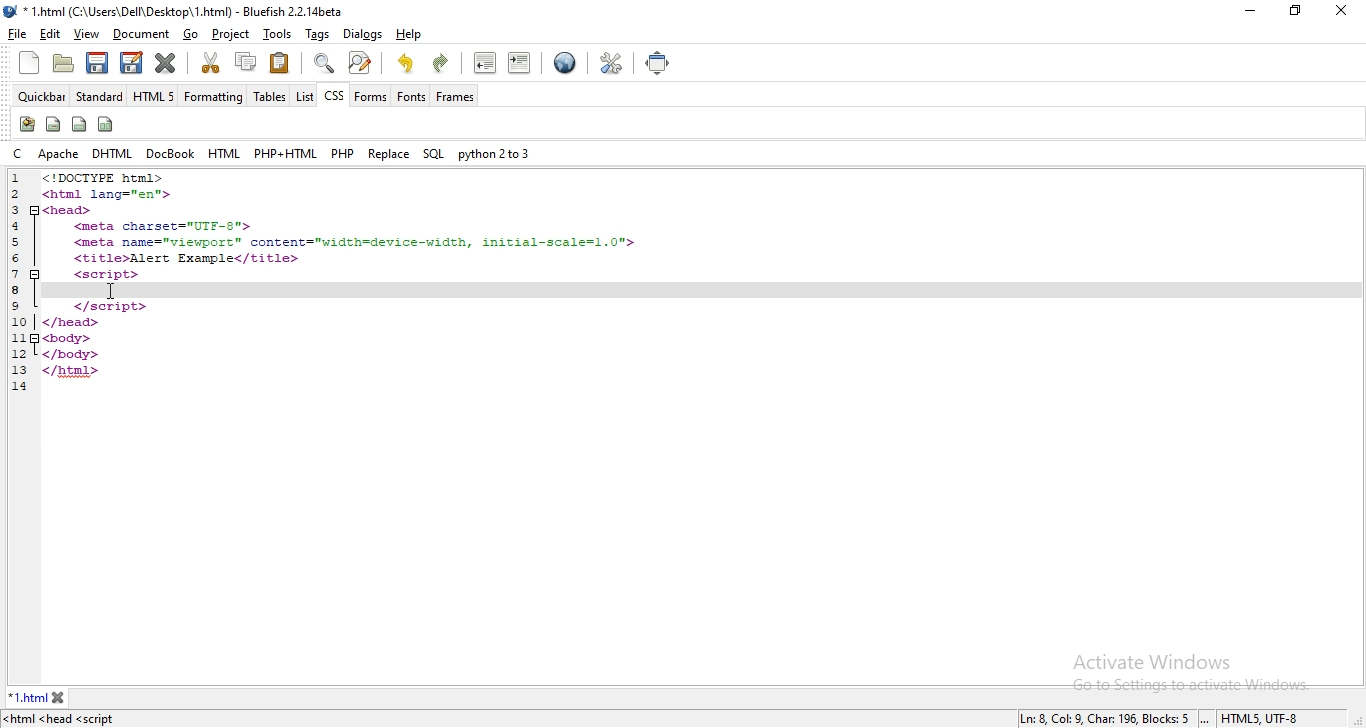 Image resolution: width=1366 pixels, height=728 pixels. What do you see at coordinates (107, 275) in the screenshot?
I see `<script>` at bounding box center [107, 275].